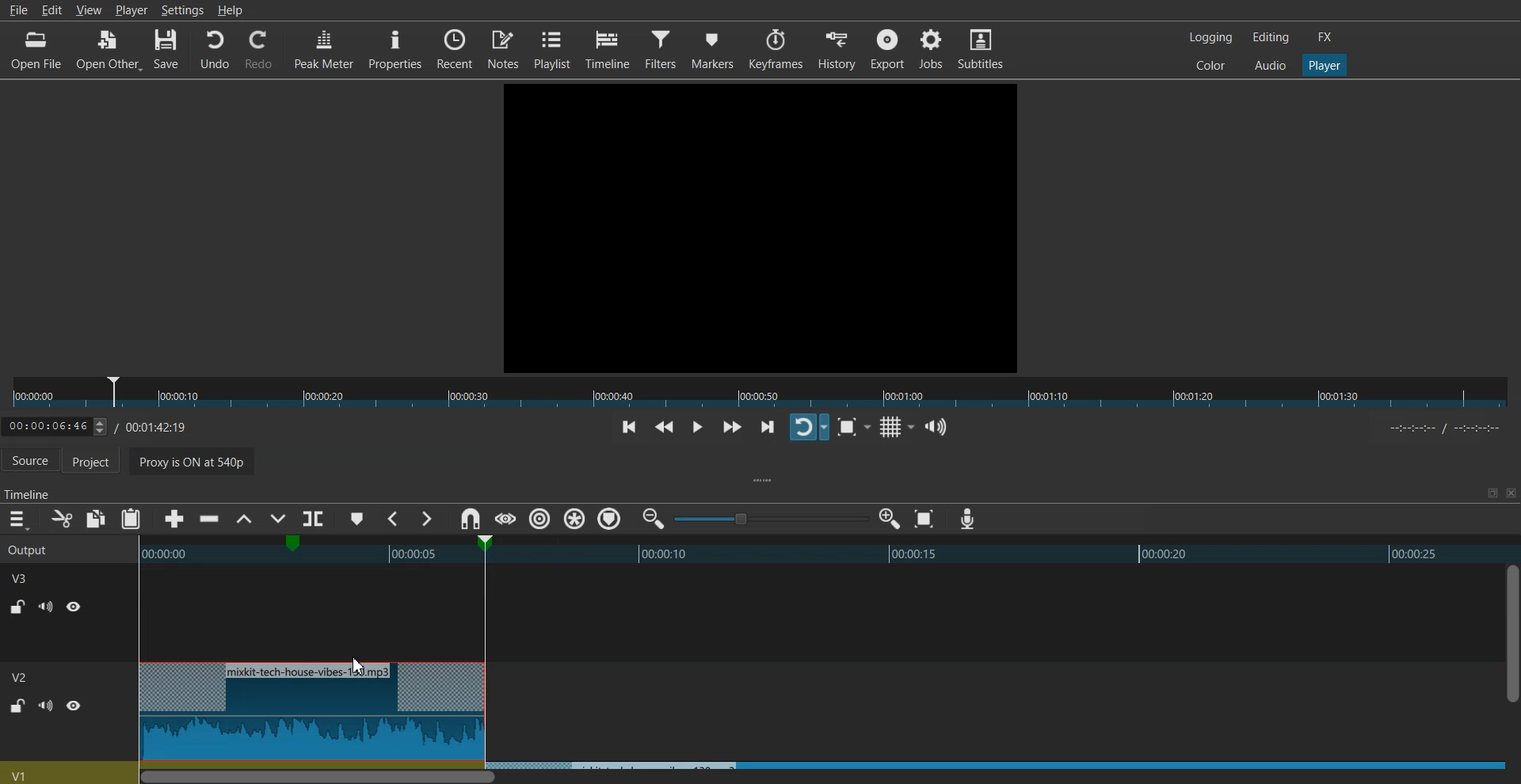  What do you see at coordinates (732, 427) in the screenshot?
I see `Play quickly forwards` at bounding box center [732, 427].